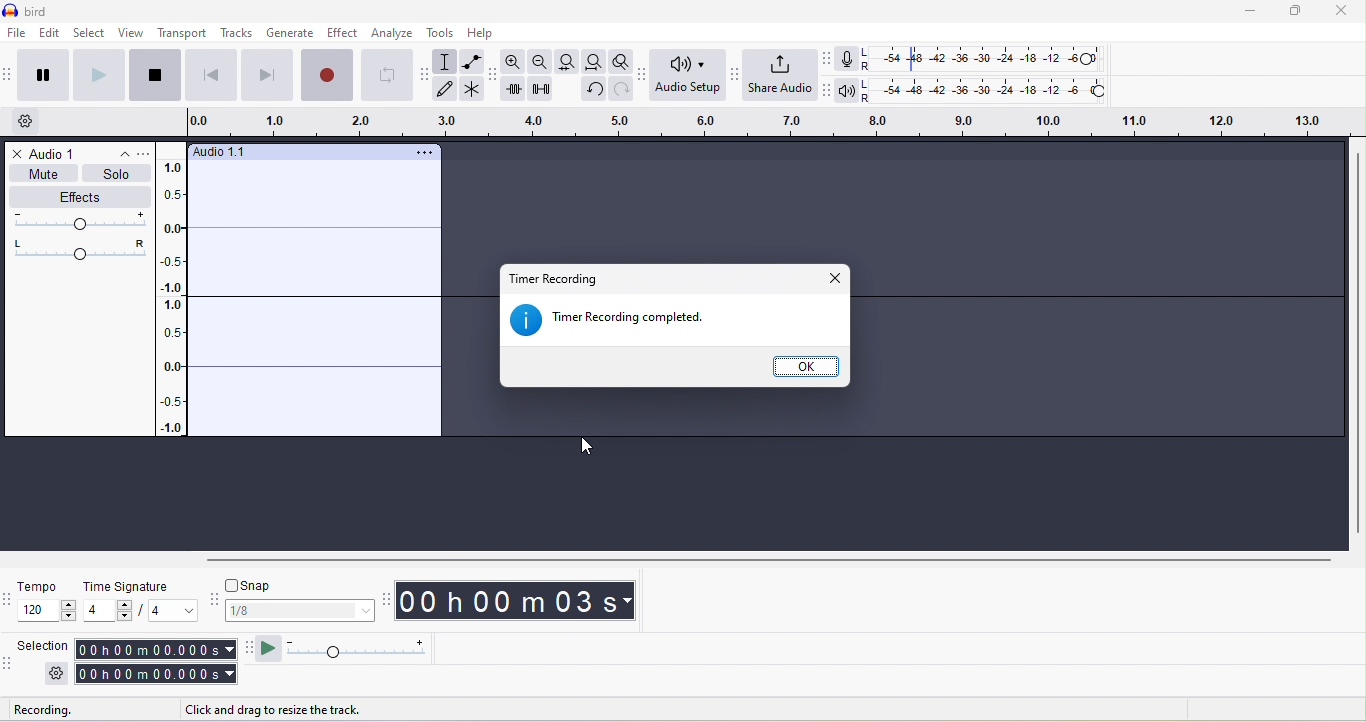  I want to click on selection tool, so click(447, 62).